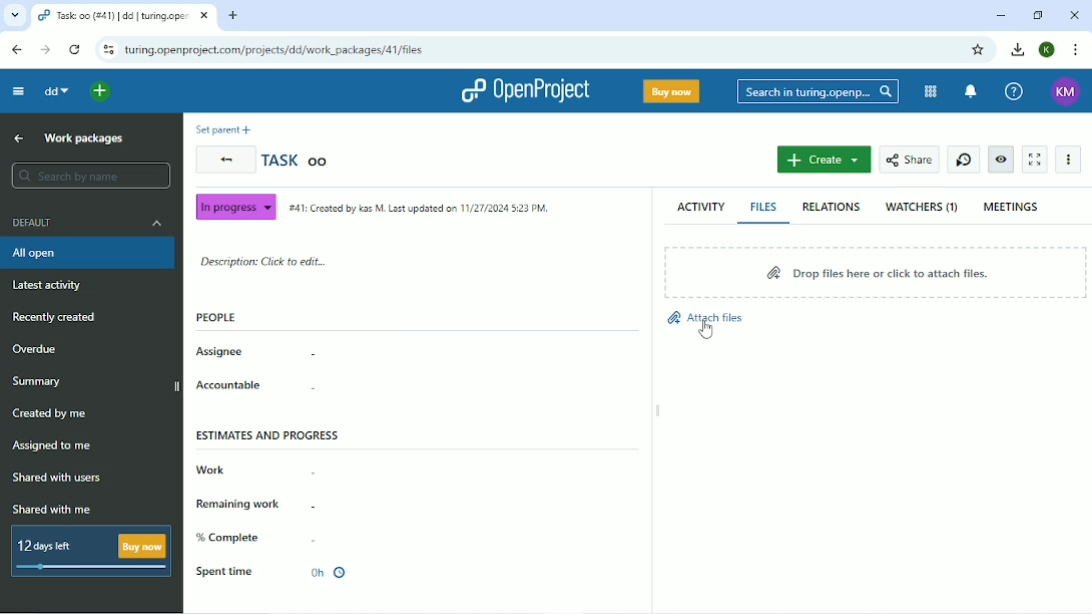  Describe the element at coordinates (242, 503) in the screenshot. I see `Remaining work` at that location.